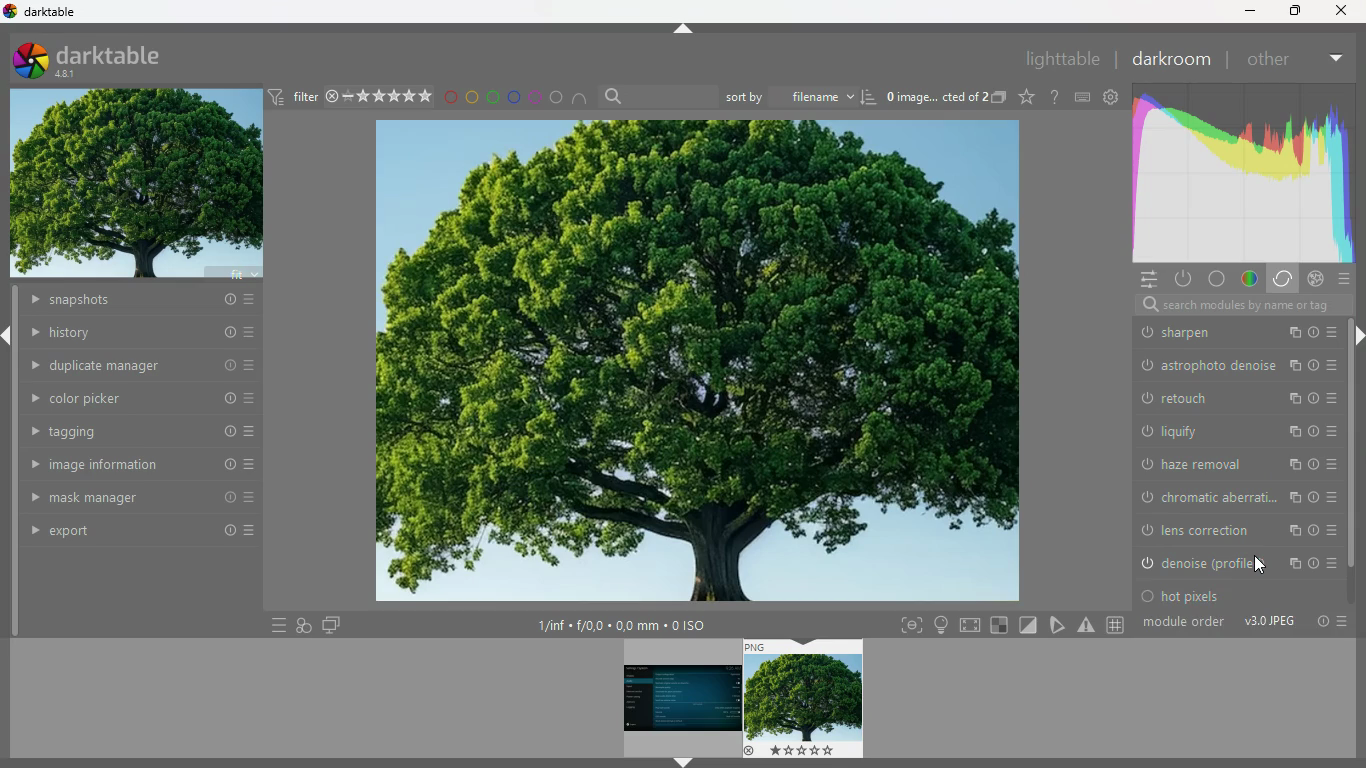 This screenshot has width=1366, height=768. I want to click on move up, so click(686, 29).